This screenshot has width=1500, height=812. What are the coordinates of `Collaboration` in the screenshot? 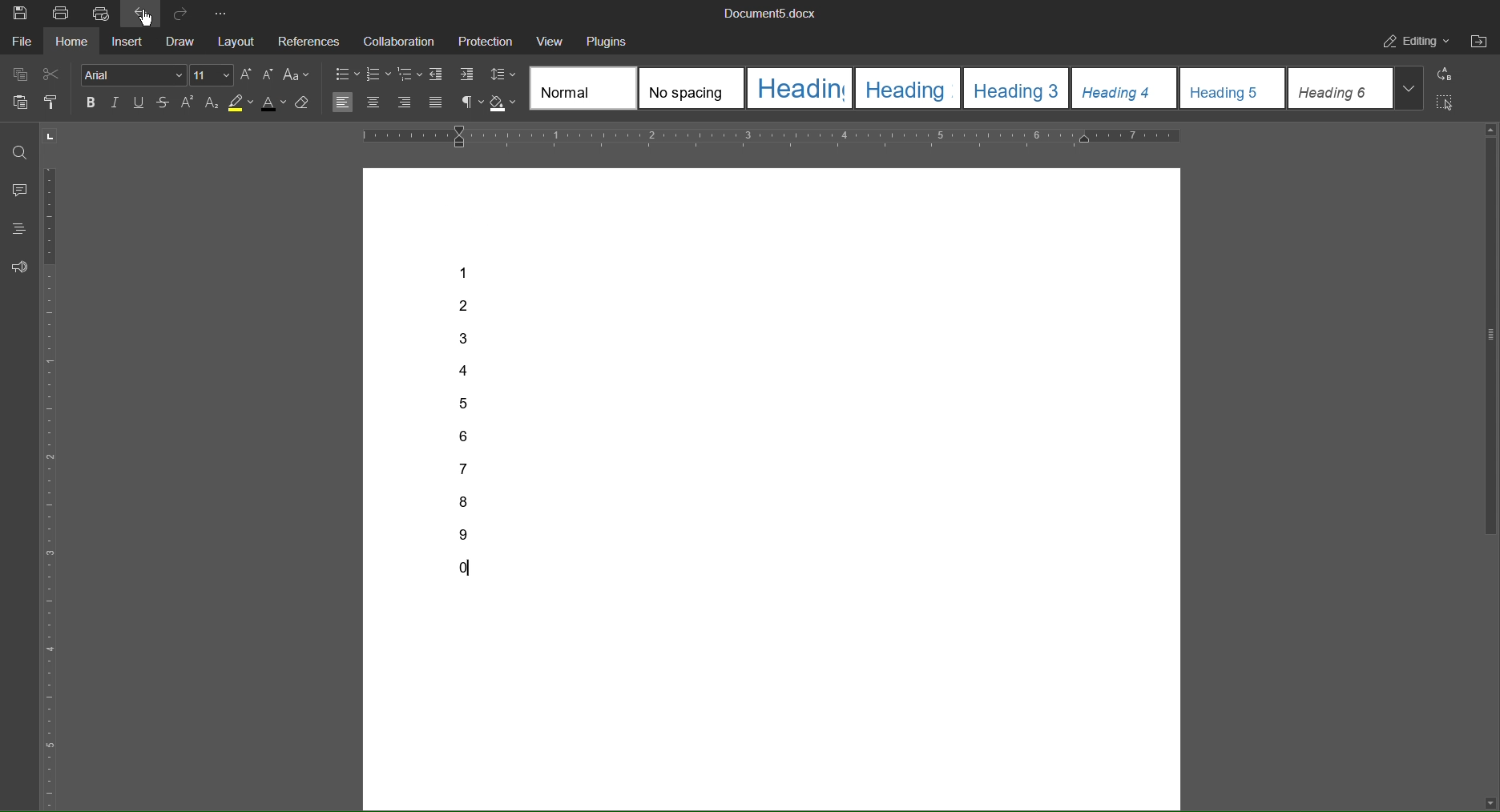 It's located at (401, 41).